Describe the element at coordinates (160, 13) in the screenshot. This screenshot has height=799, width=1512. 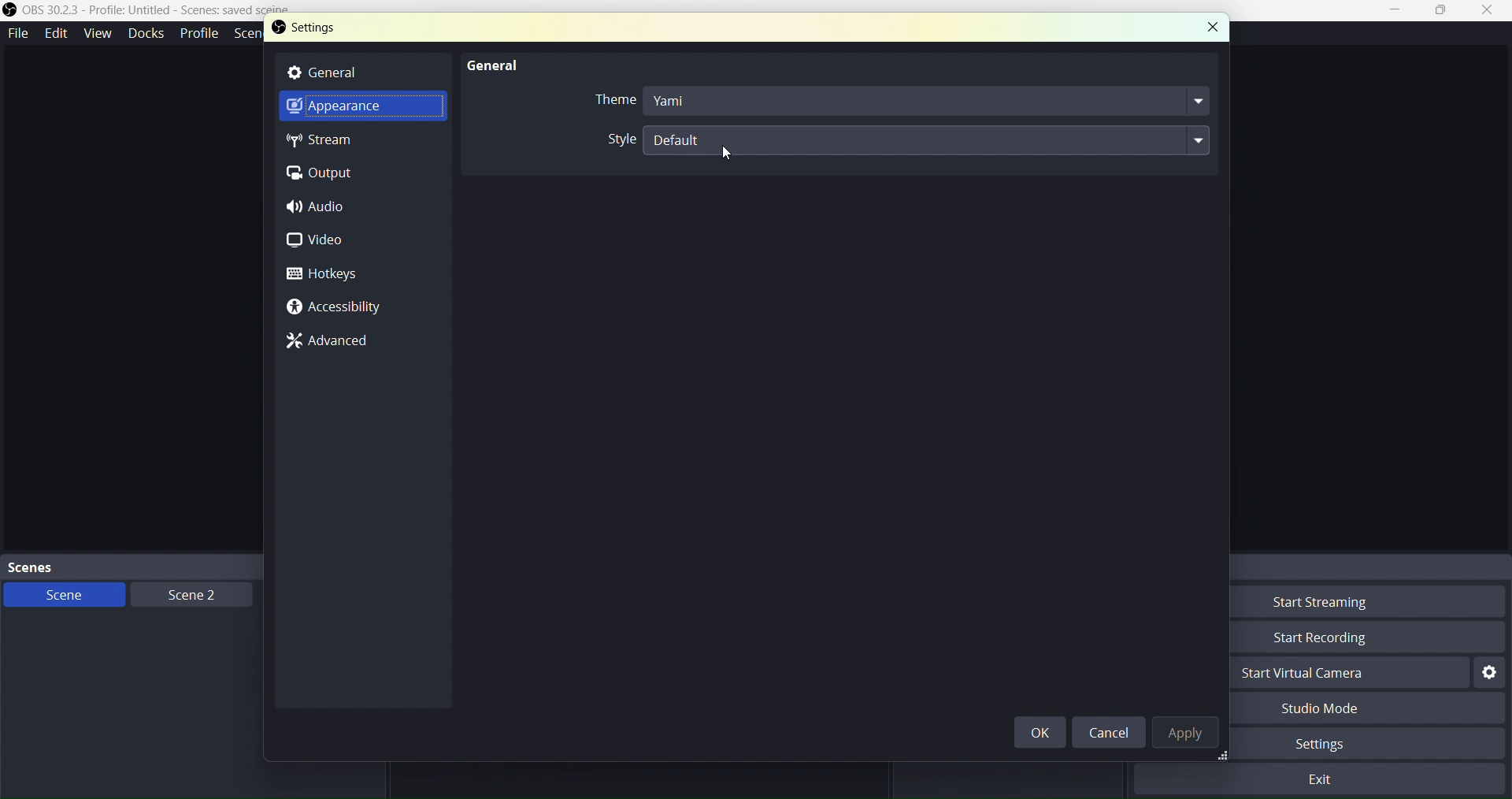
I see `OBS Studio` at that location.